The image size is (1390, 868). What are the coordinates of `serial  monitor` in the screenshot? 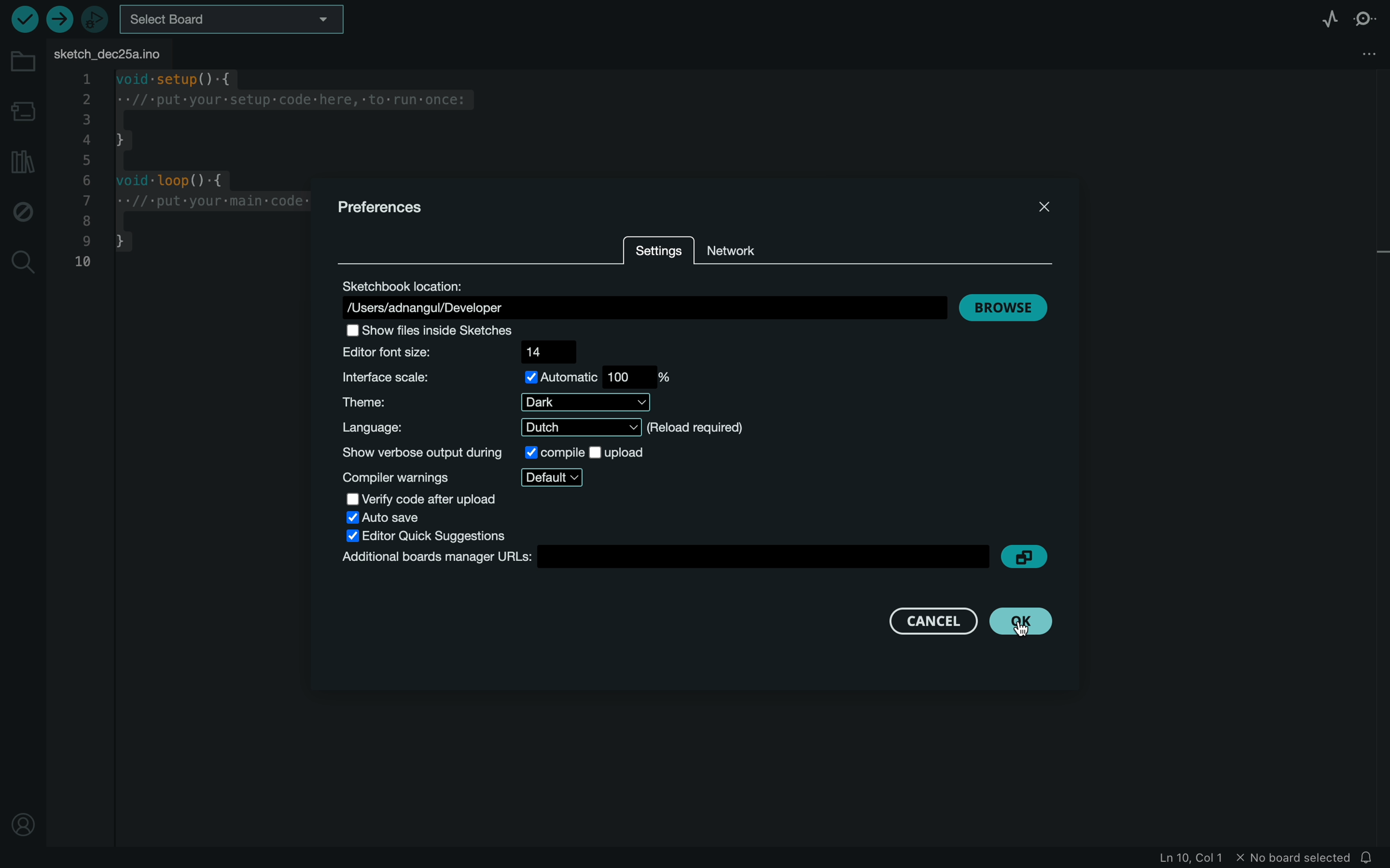 It's located at (1365, 19).